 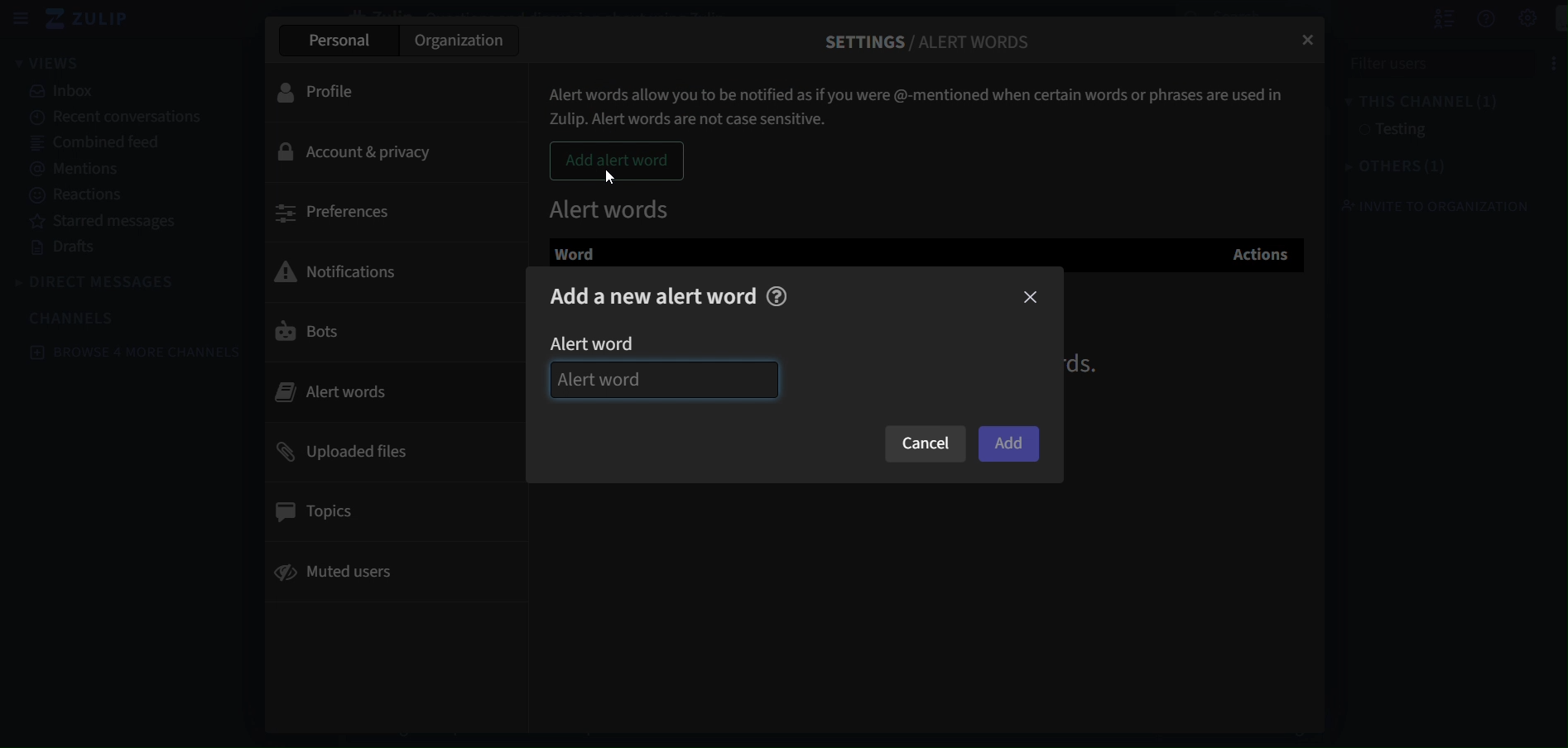 I want to click on profile, so click(x=327, y=92).